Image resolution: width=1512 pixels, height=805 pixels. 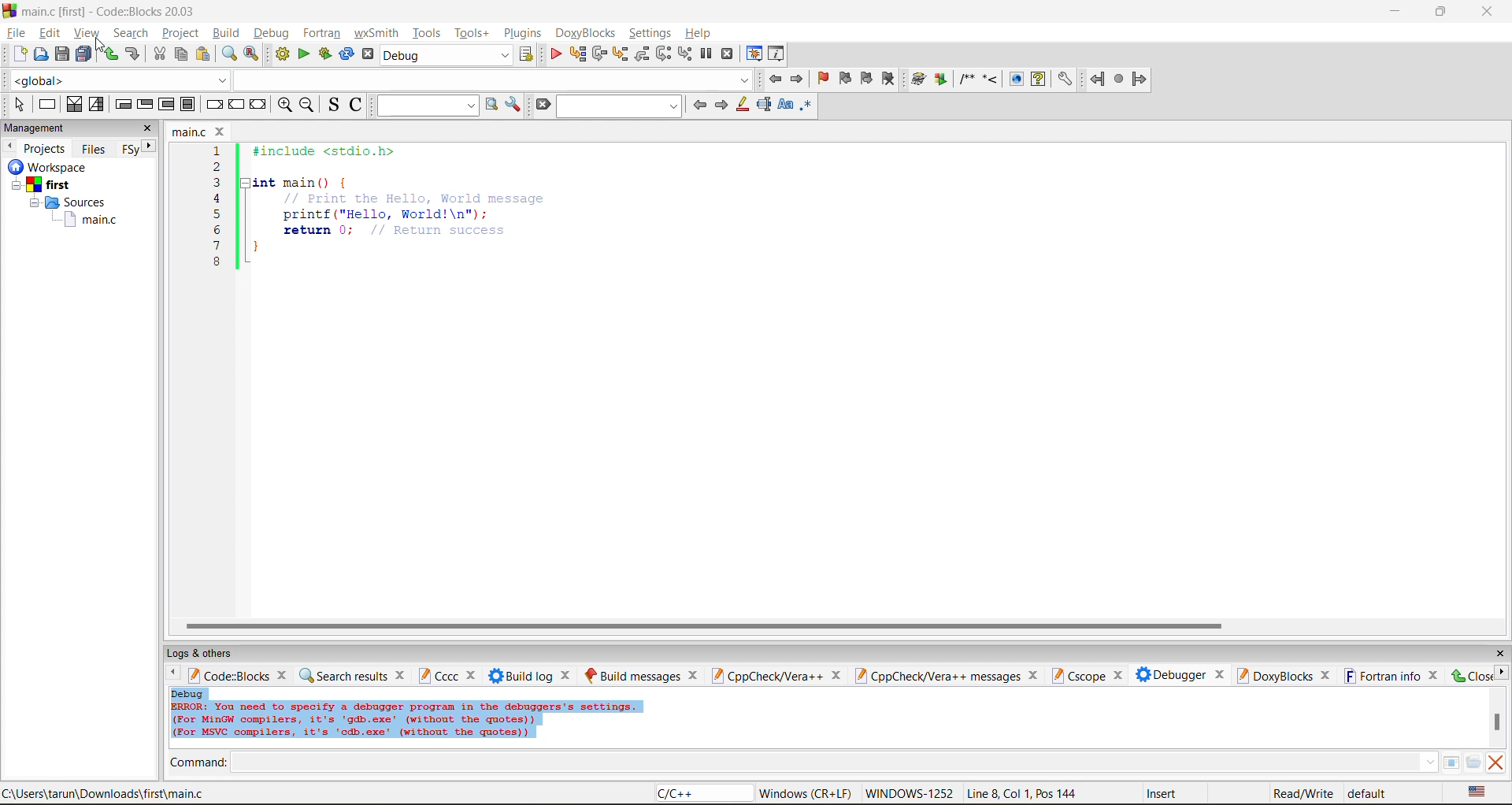 I want to click on Run doxywizard, so click(x=917, y=80).